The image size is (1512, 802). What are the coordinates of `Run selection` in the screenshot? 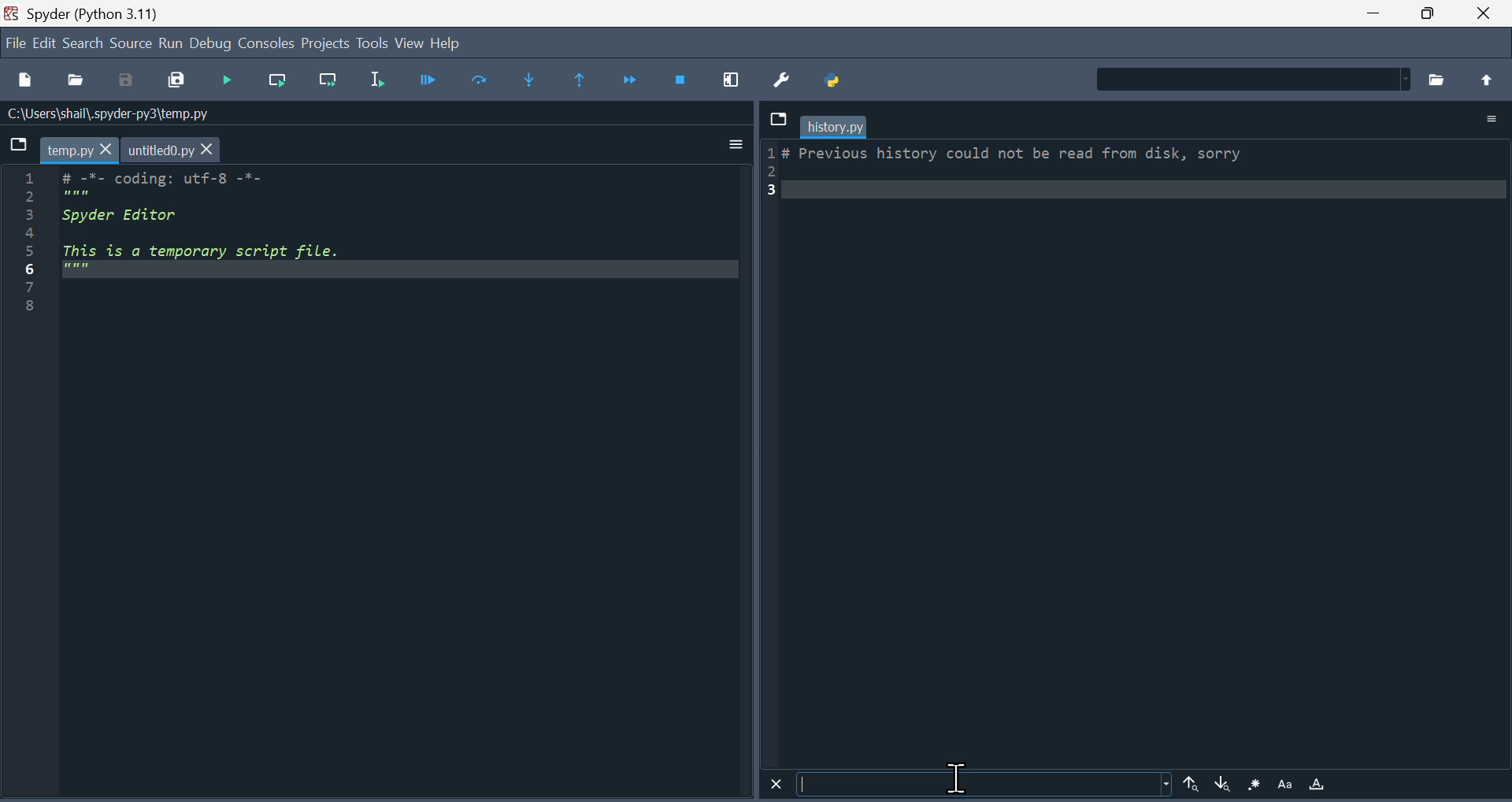 It's located at (380, 78).